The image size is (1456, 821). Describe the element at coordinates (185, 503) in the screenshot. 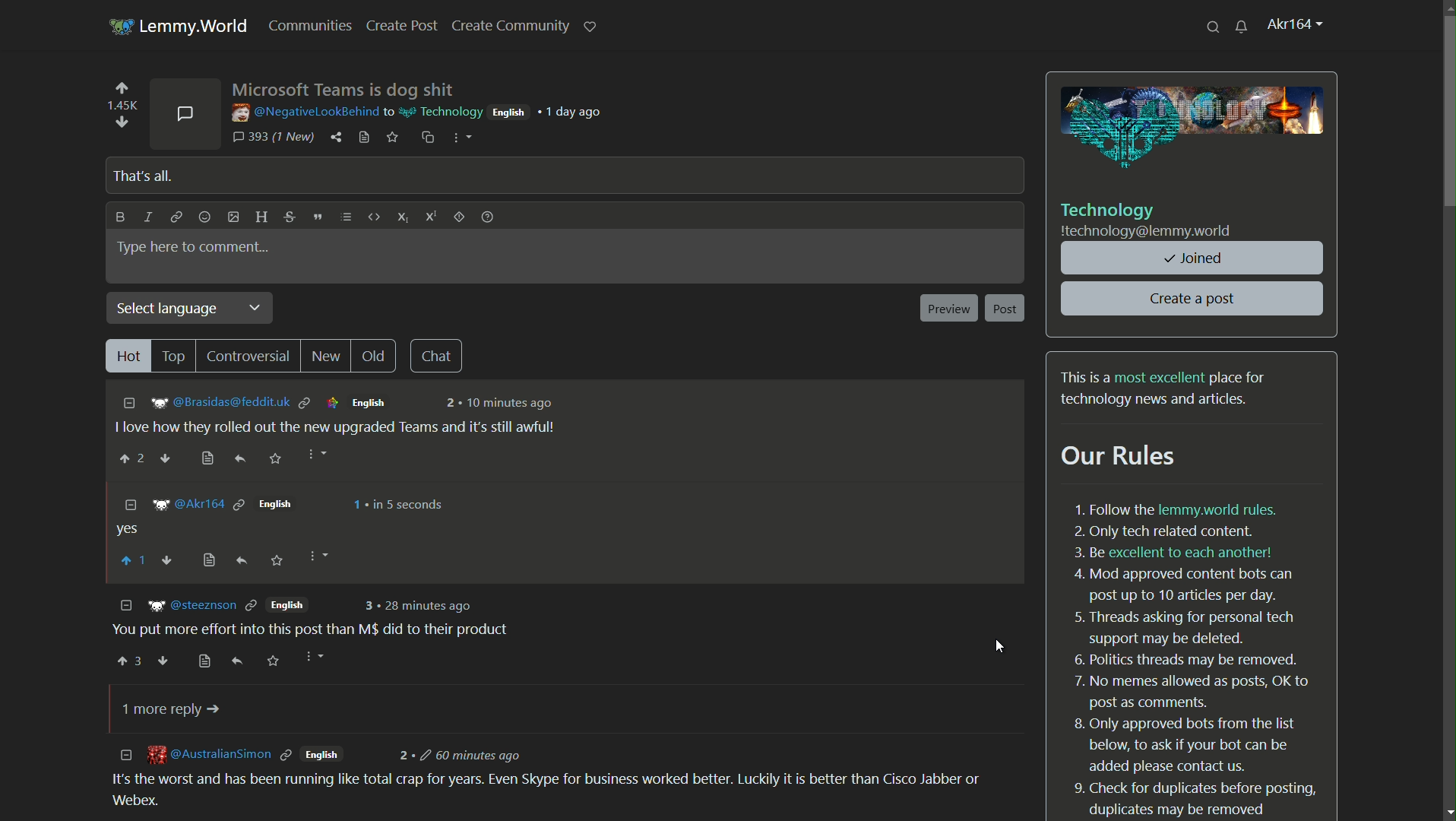

I see `username who replied` at that location.